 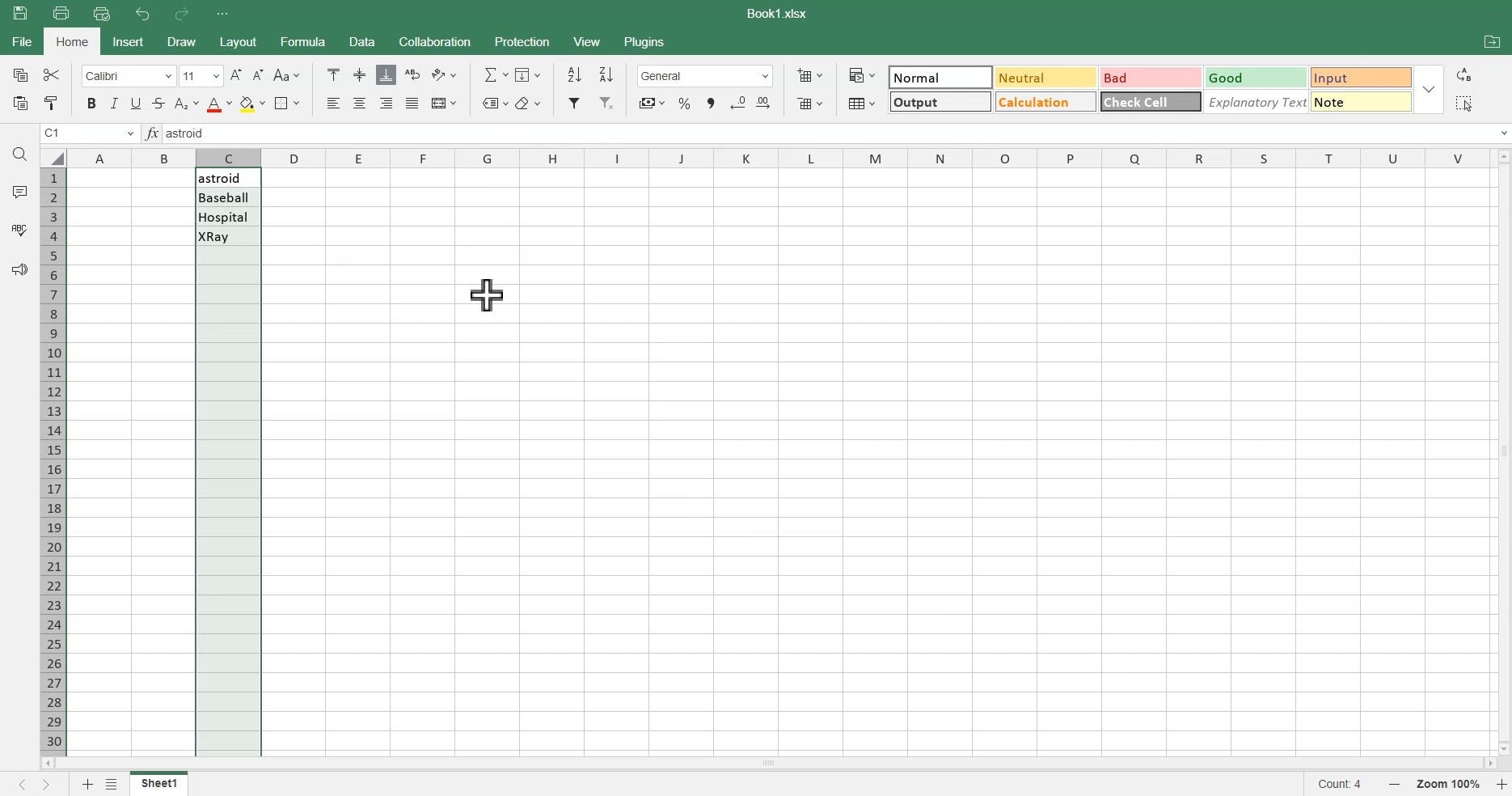 I want to click on Formula, so click(x=301, y=40).